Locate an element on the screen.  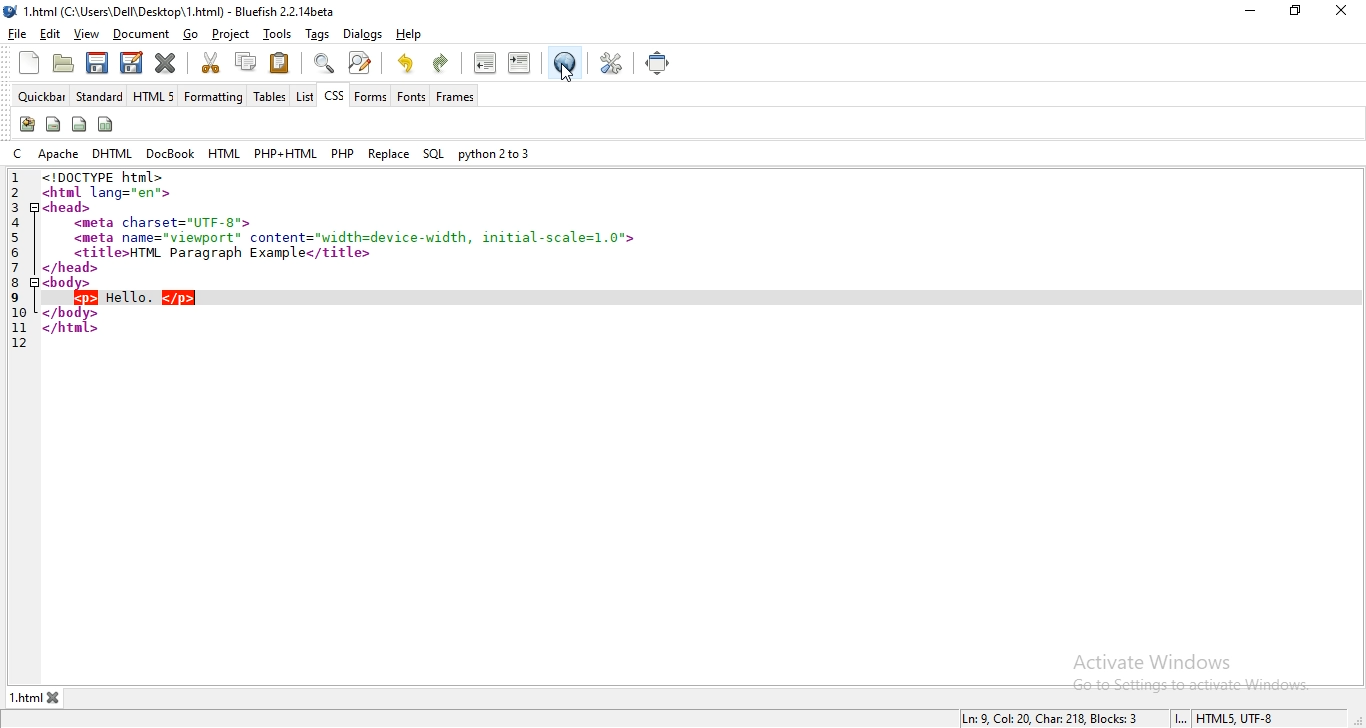
copy is located at coordinates (244, 61).